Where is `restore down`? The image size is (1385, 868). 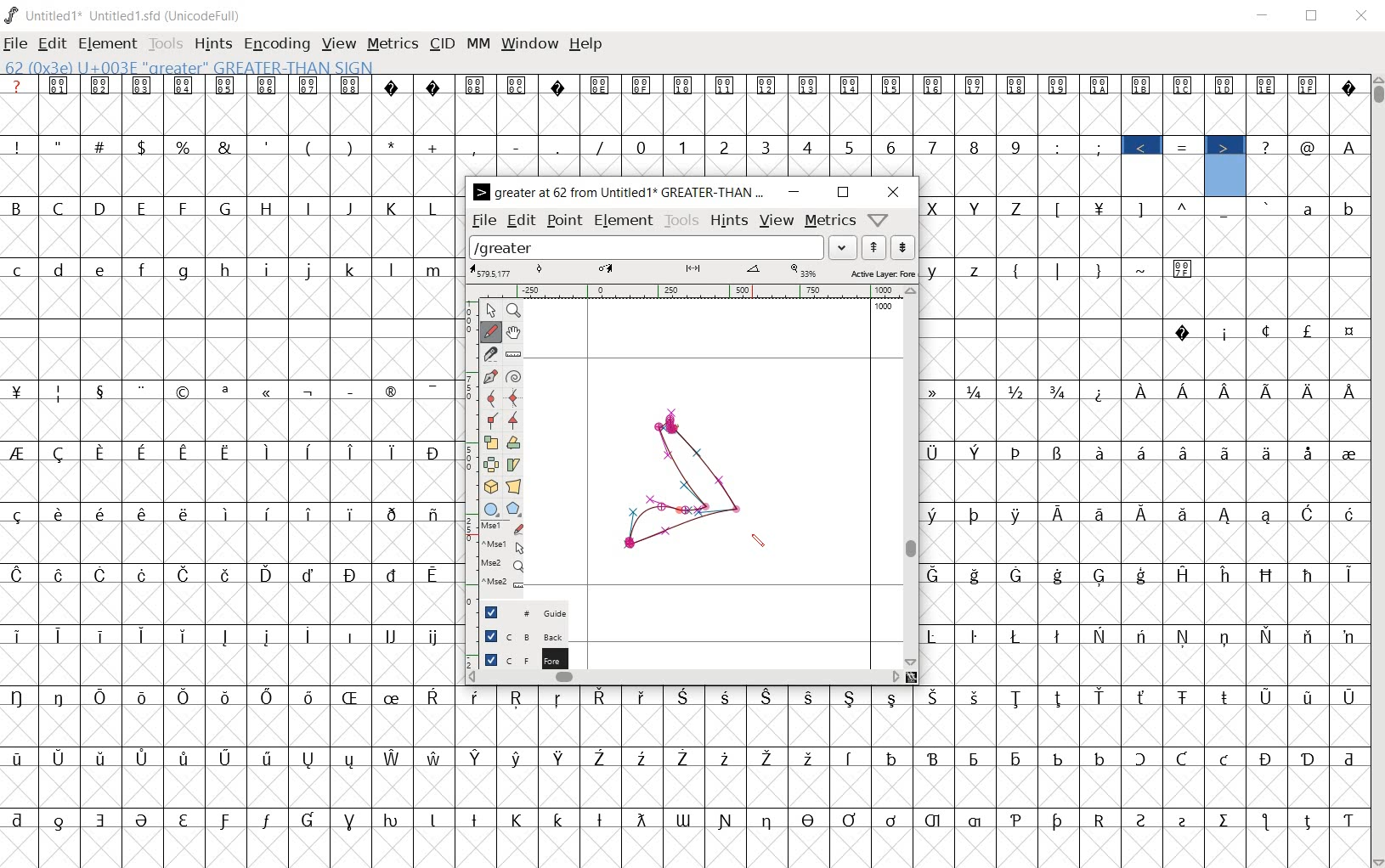
restore down is located at coordinates (1313, 15).